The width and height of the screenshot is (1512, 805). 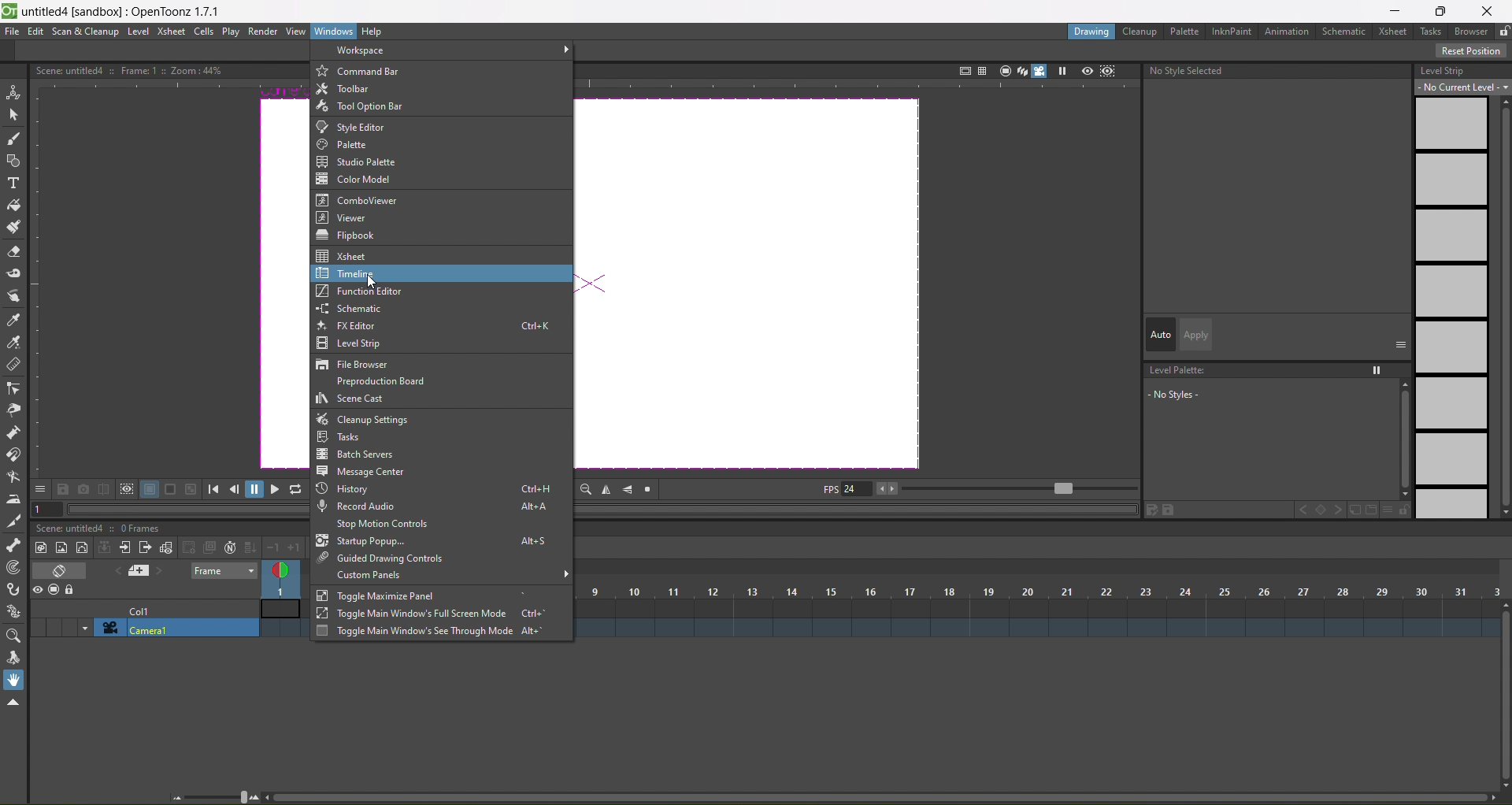 I want to click on cleanup, so click(x=1140, y=32).